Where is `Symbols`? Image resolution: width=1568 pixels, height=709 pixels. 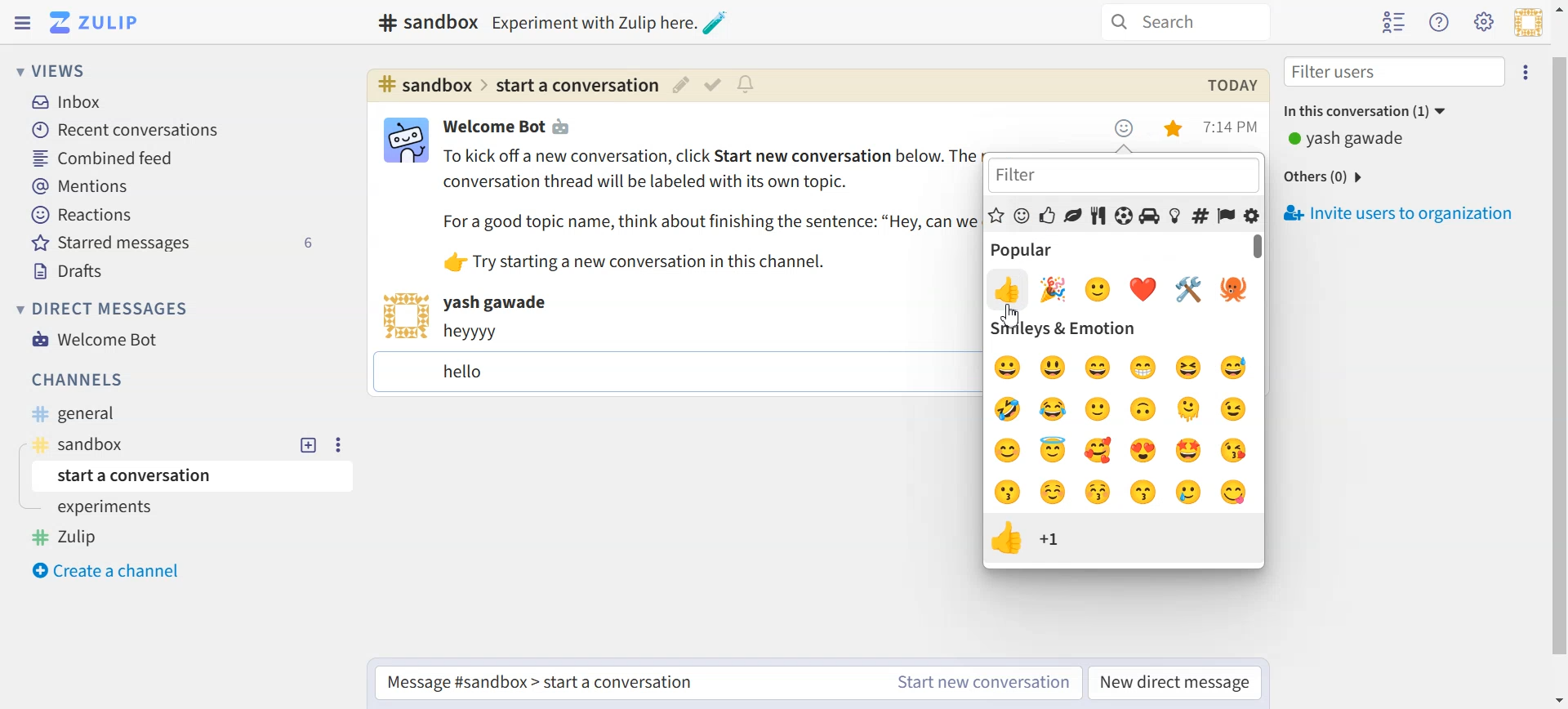
Symbols is located at coordinates (1200, 216).